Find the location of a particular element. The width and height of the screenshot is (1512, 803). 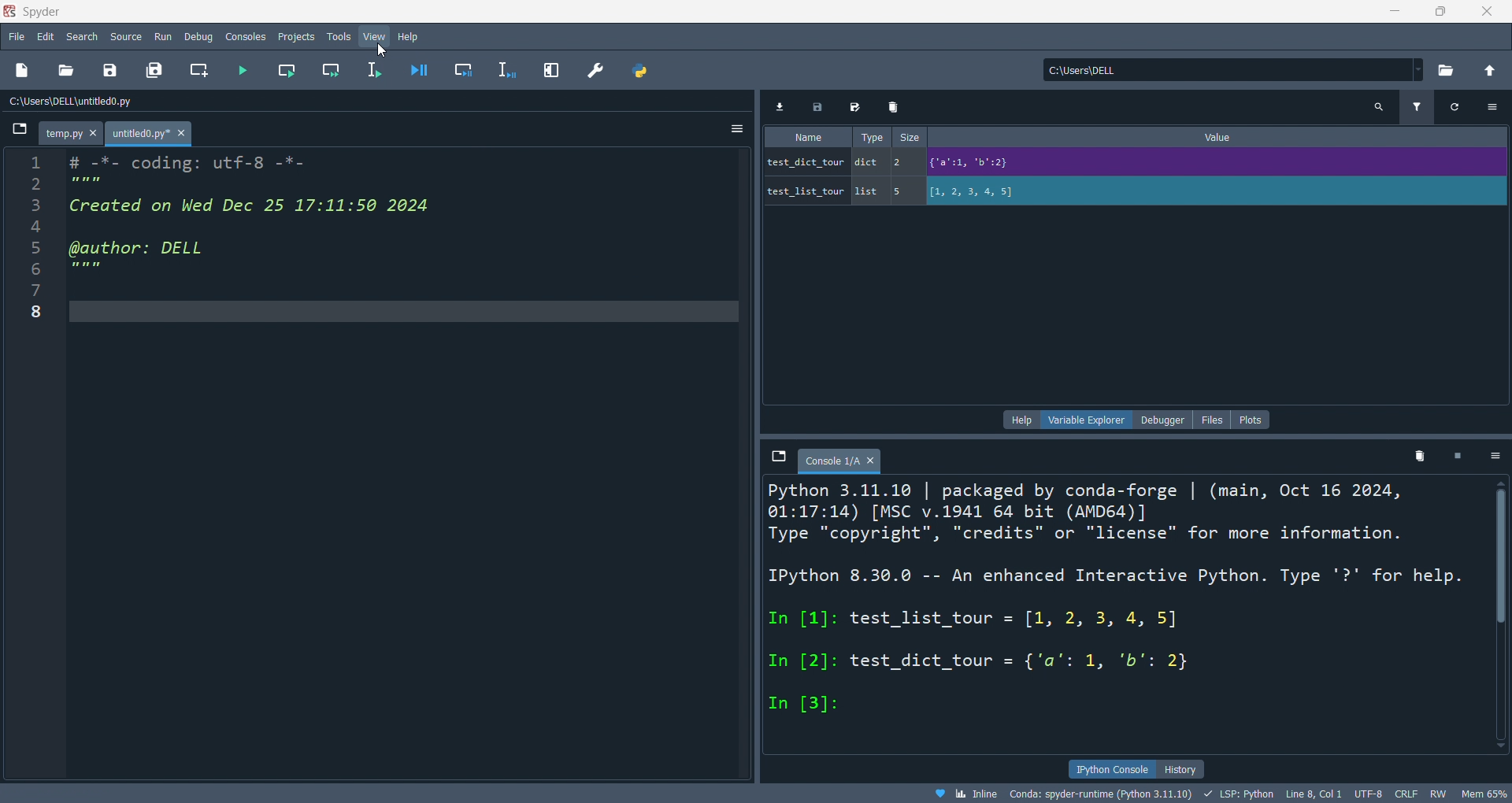

variable explorer is located at coordinates (1085, 420).